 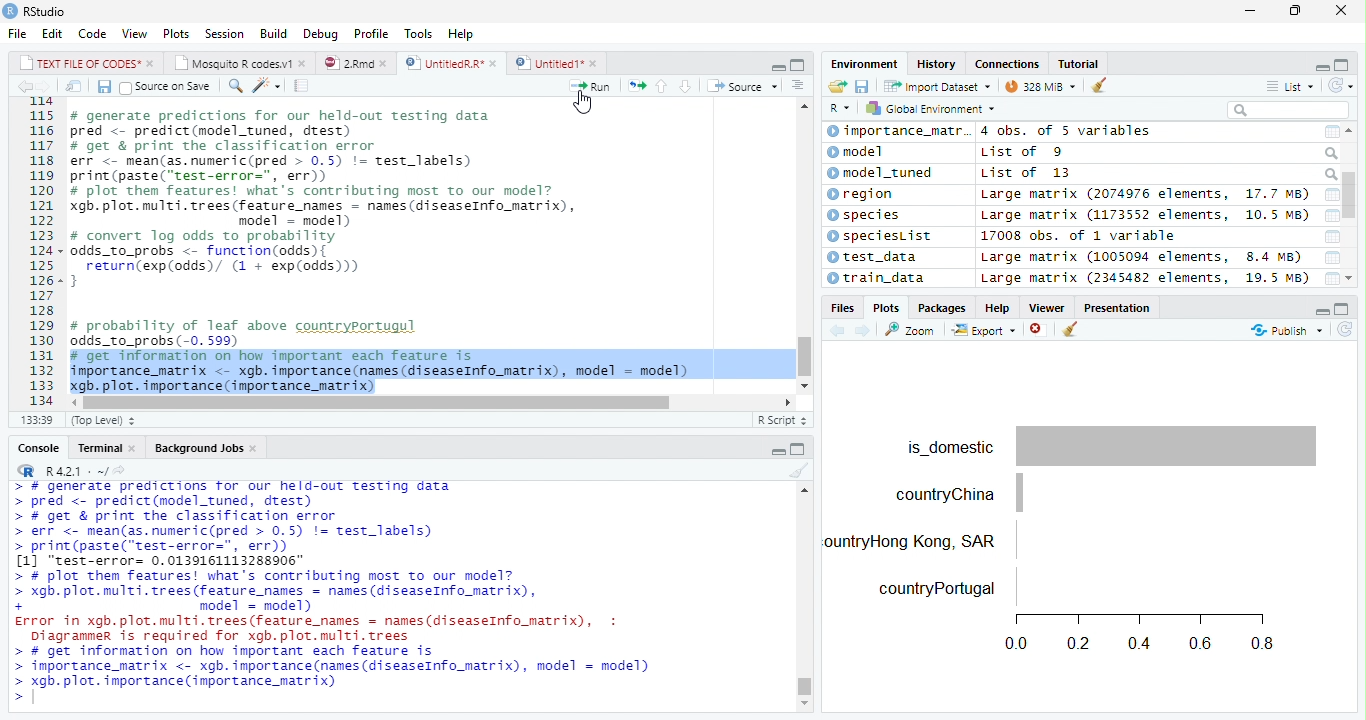 What do you see at coordinates (1143, 193) in the screenshot?
I see `Large matrix (2074976 elements, 17.7 MB)` at bounding box center [1143, 193].